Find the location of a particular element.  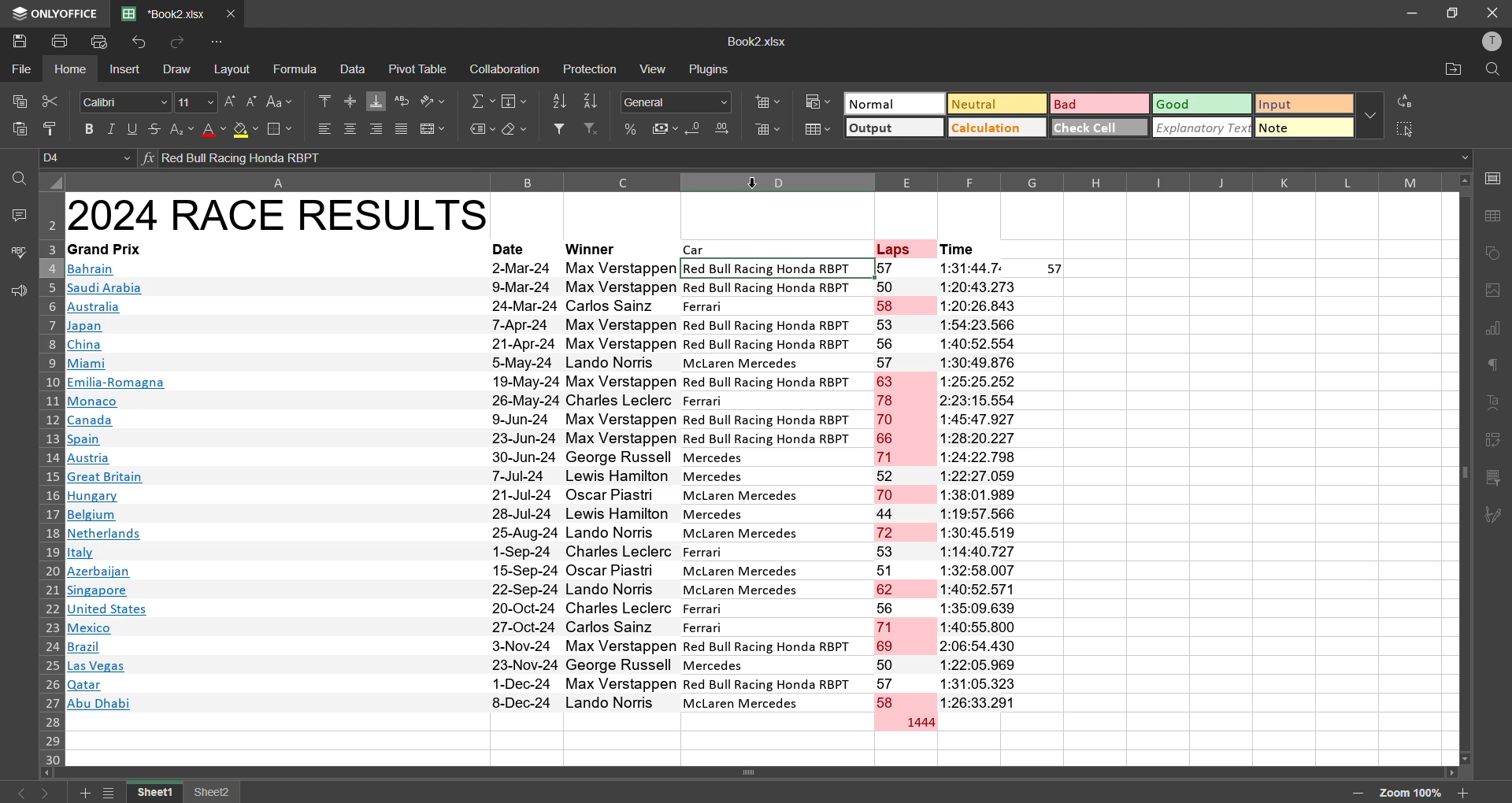

find is located at coordinates (1492, 70).